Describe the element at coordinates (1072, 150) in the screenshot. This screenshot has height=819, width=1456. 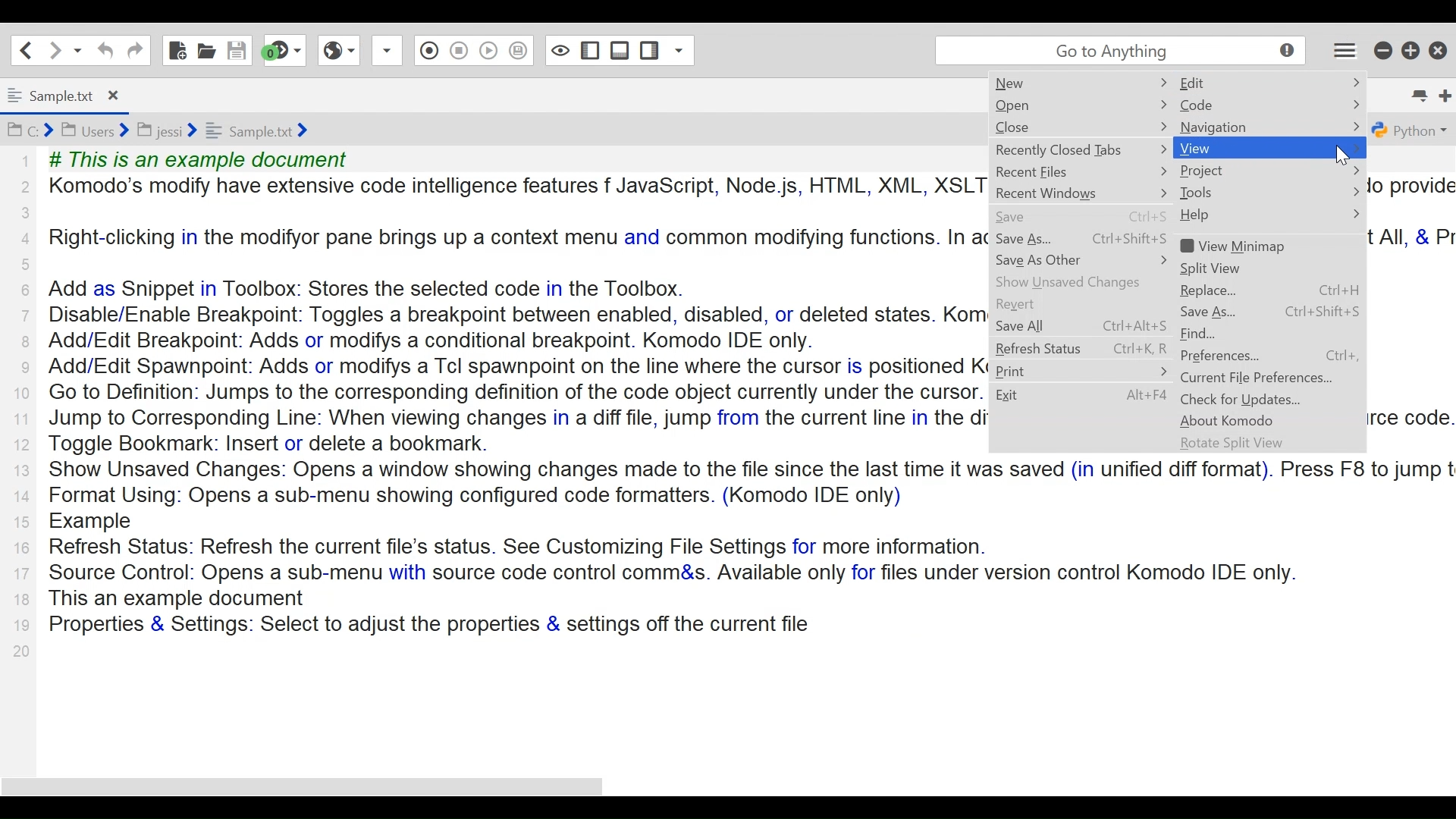
I see `Recently Closed Tabs` at that location.